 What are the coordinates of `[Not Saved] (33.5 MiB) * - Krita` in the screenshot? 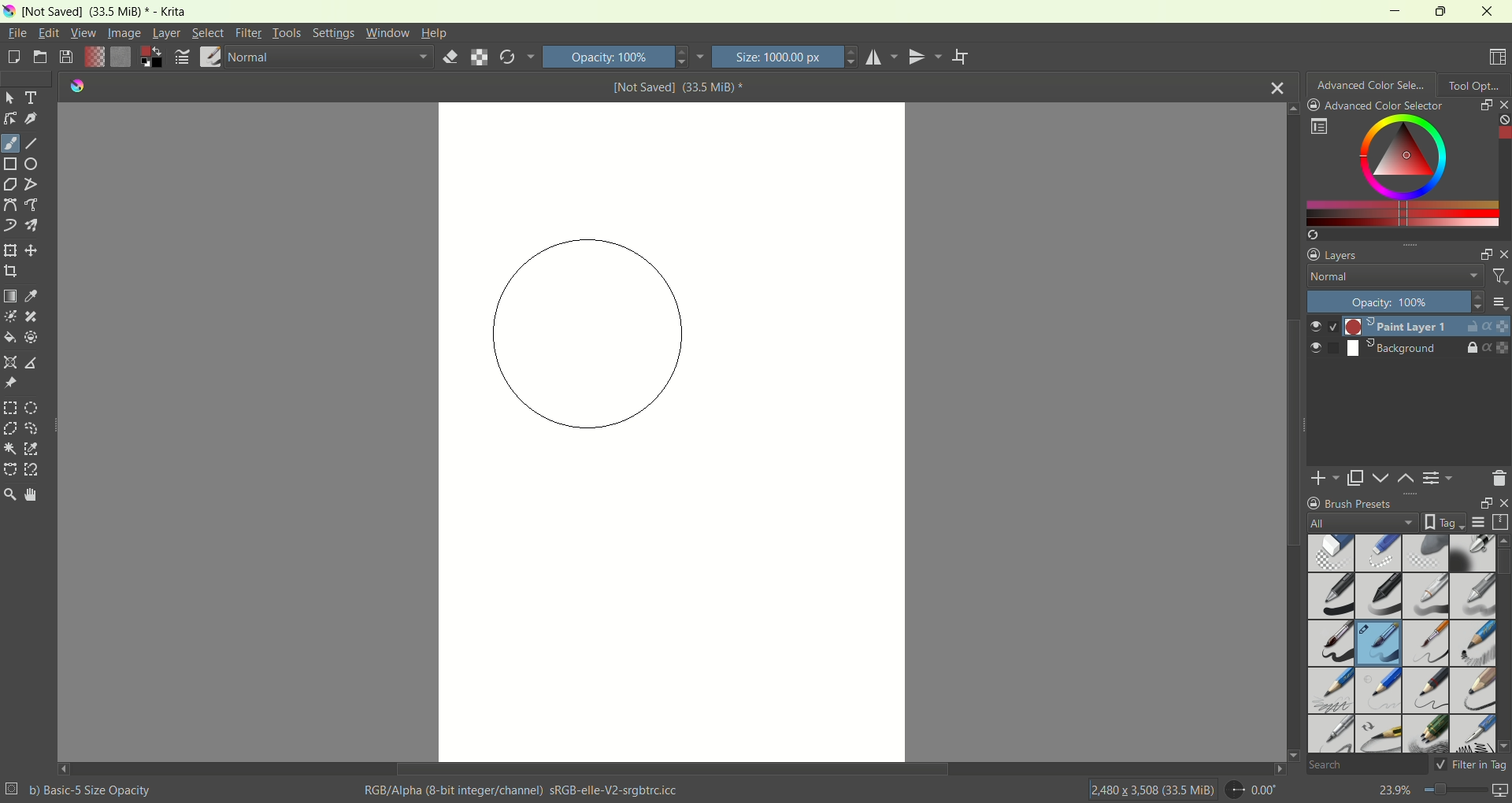 It's located at (106, 13).